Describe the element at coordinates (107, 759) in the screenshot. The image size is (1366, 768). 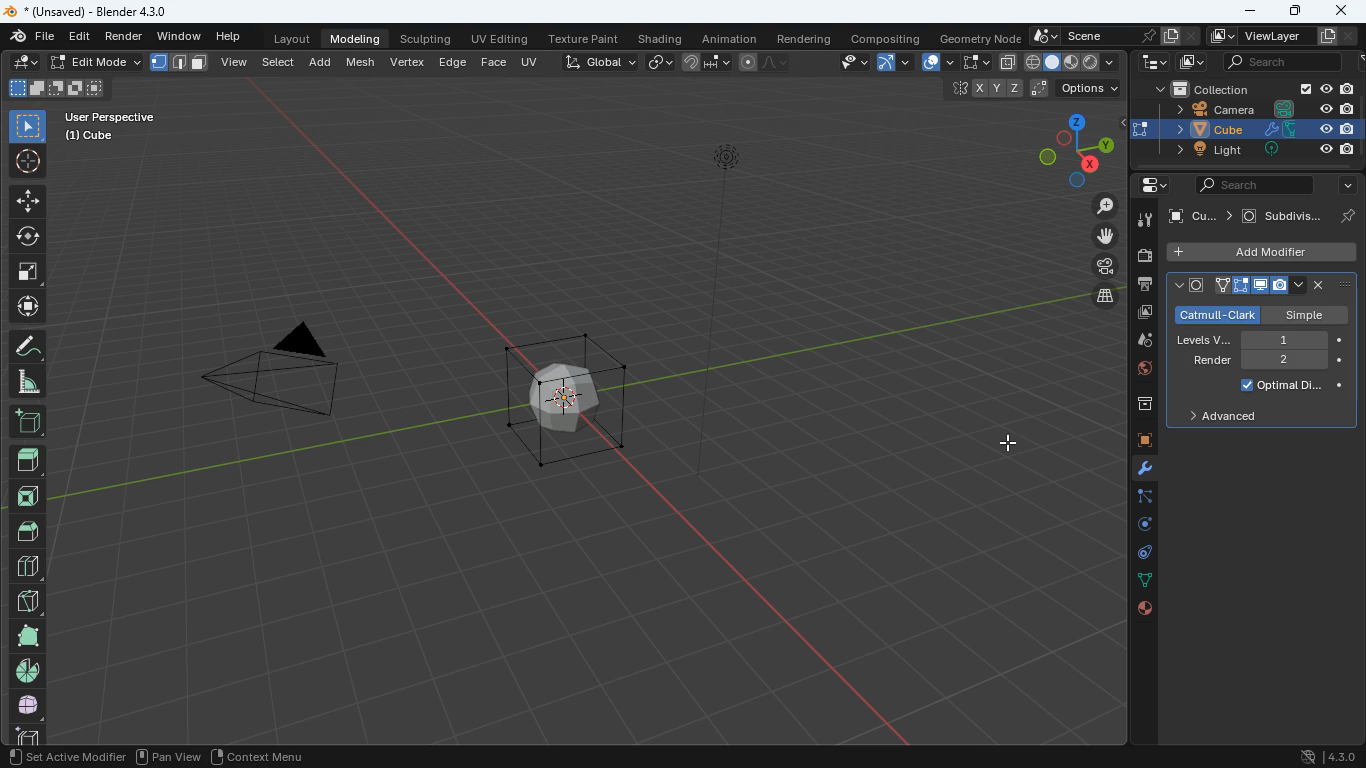
I see `region` at that location.